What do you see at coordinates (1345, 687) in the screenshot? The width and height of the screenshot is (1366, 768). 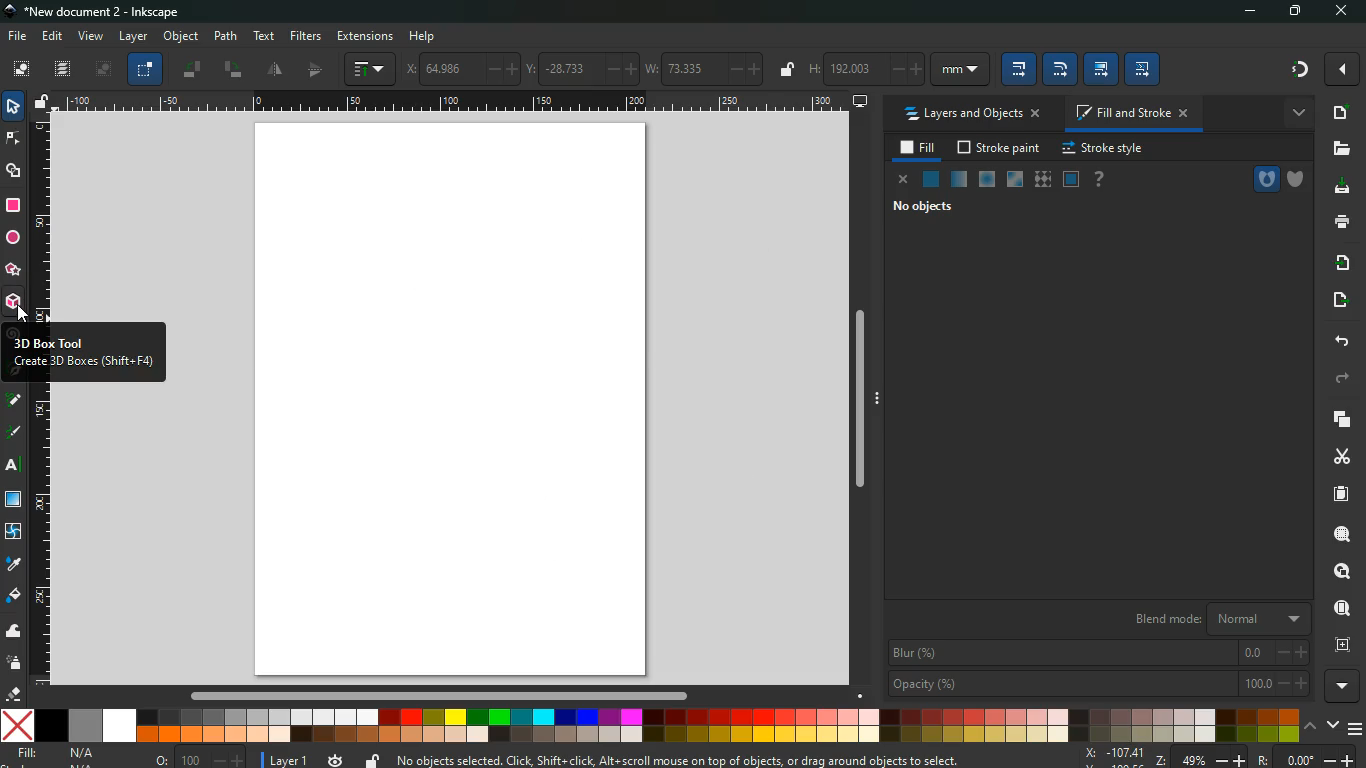 I see `more` at bounding box center [1345, 687].